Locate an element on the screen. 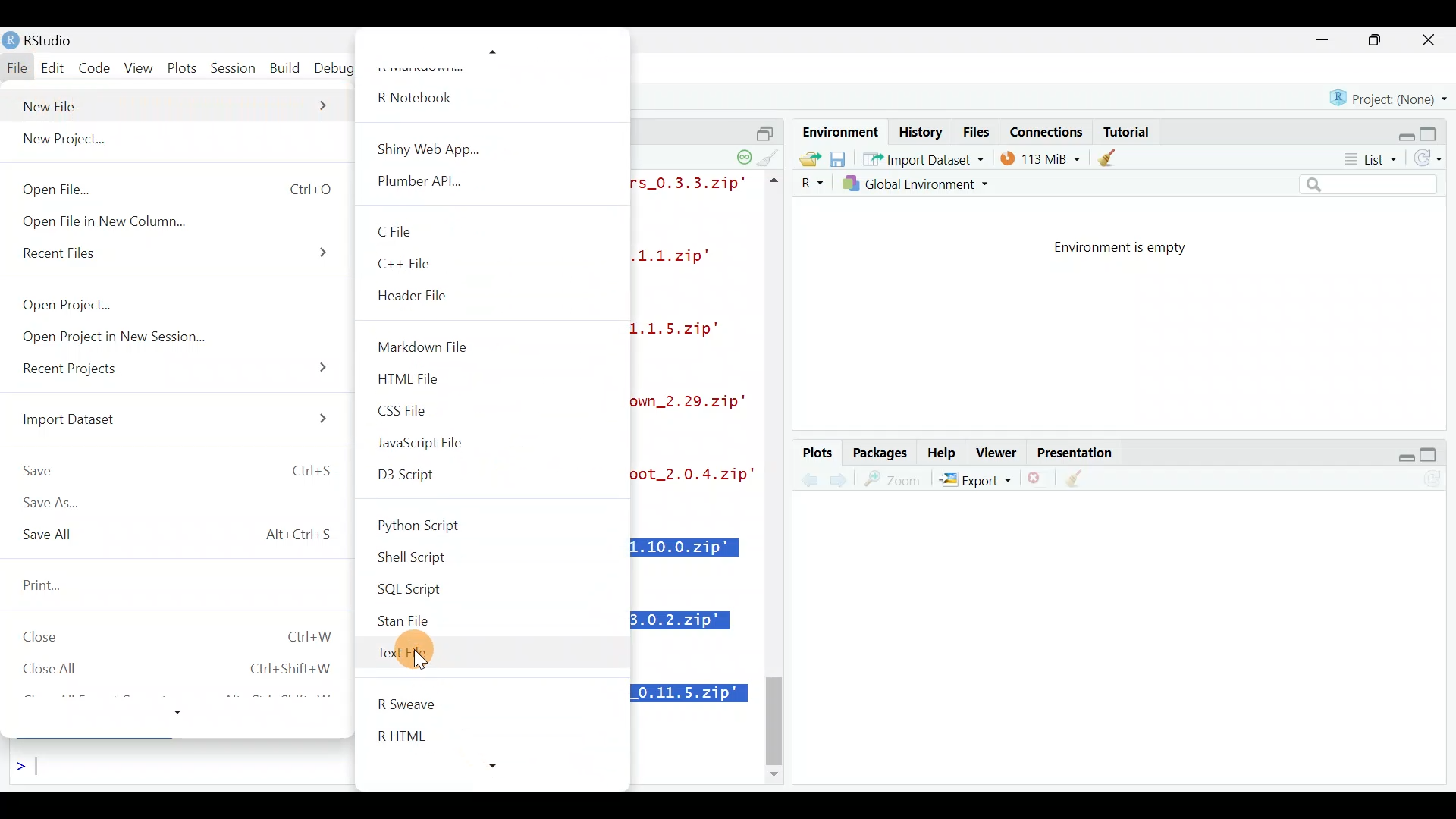 This screenshot has height=819, width=1456. Plots is located at coordinates (183, 65).